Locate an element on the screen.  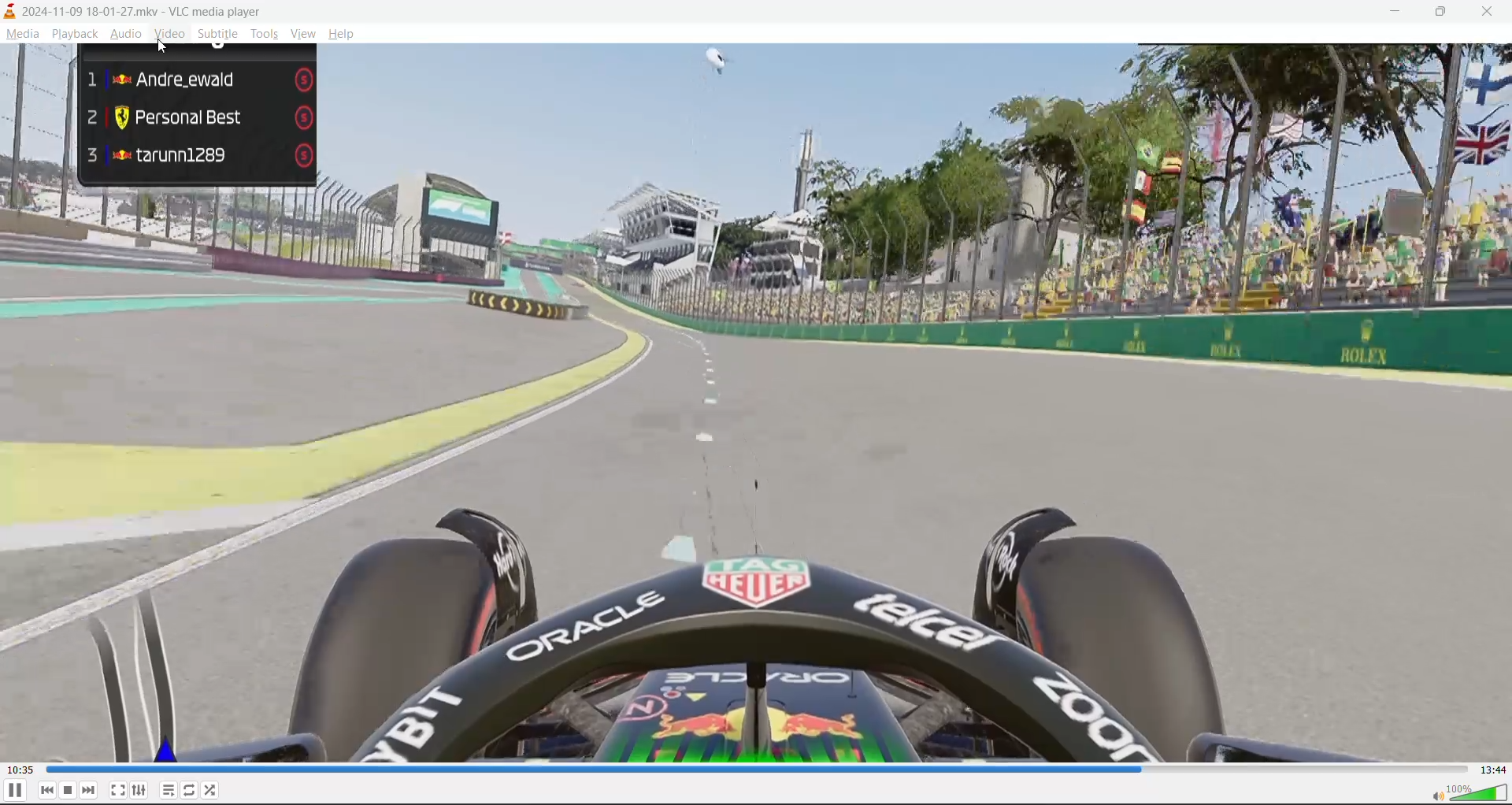
audio is located at coordinates (128, 35).